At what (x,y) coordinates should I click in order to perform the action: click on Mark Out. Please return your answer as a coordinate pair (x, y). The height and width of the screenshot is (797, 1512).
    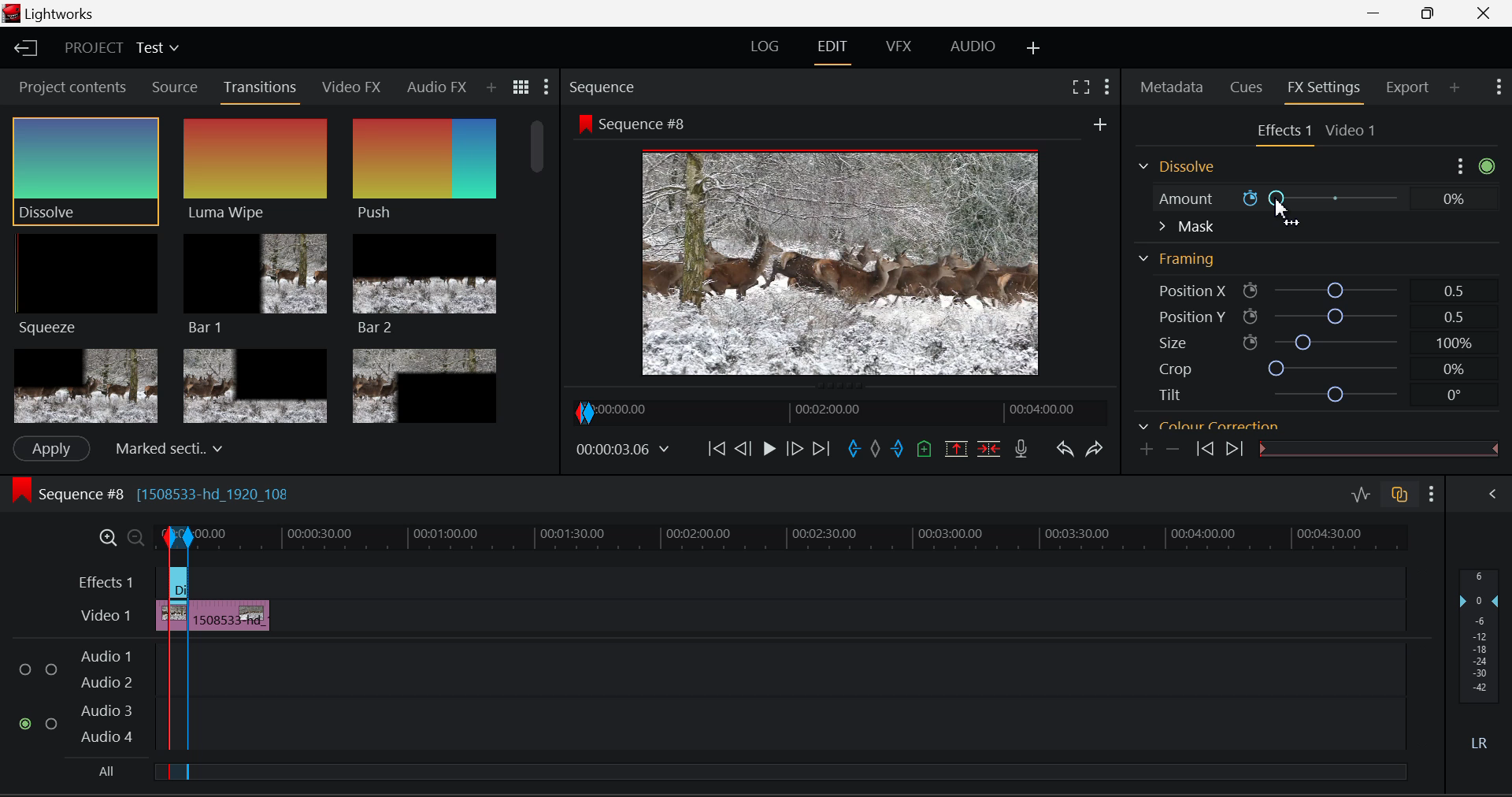
    Looking at the image, I should click on (898, 451).